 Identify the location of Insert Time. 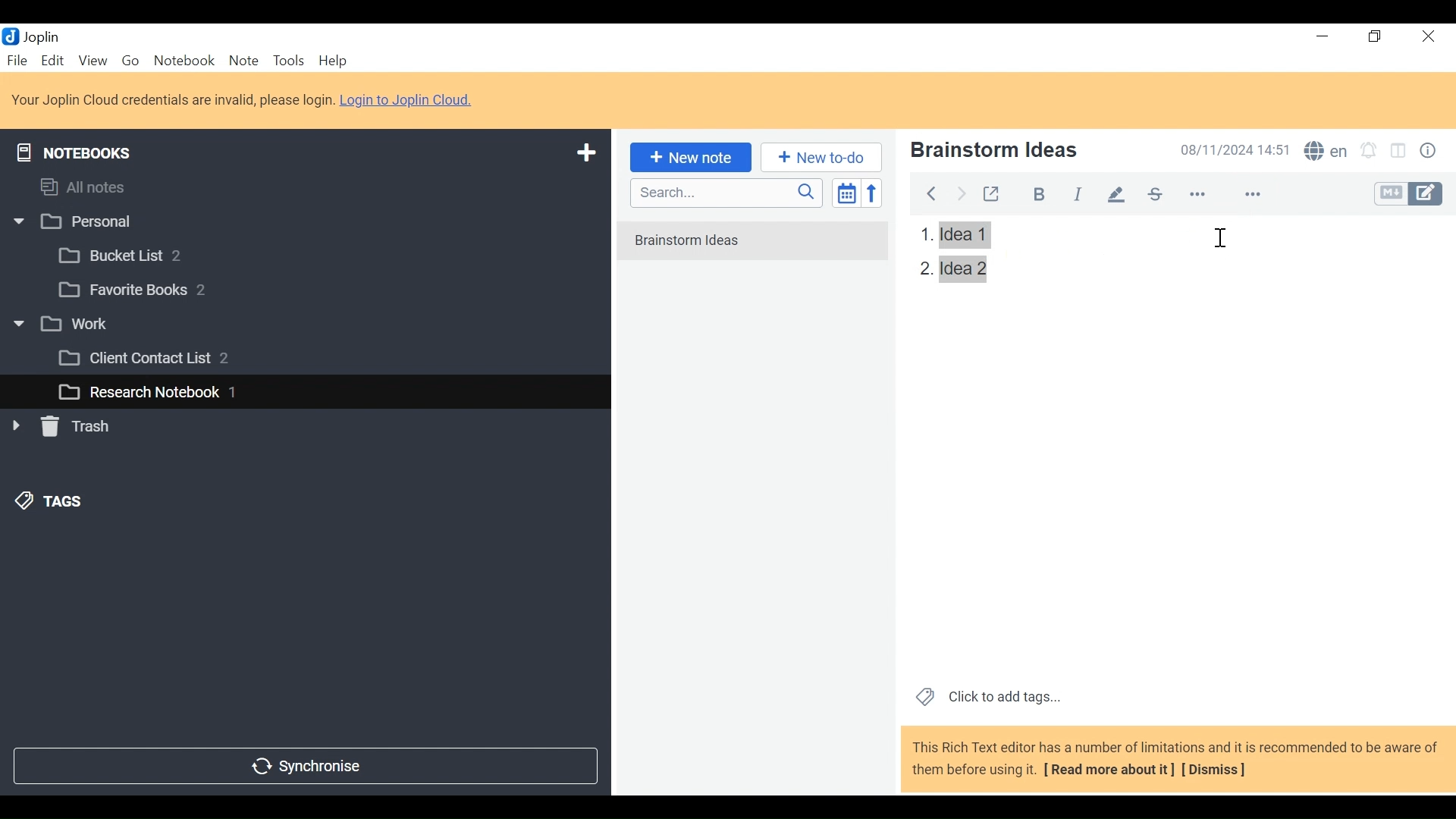
(1222, 245).